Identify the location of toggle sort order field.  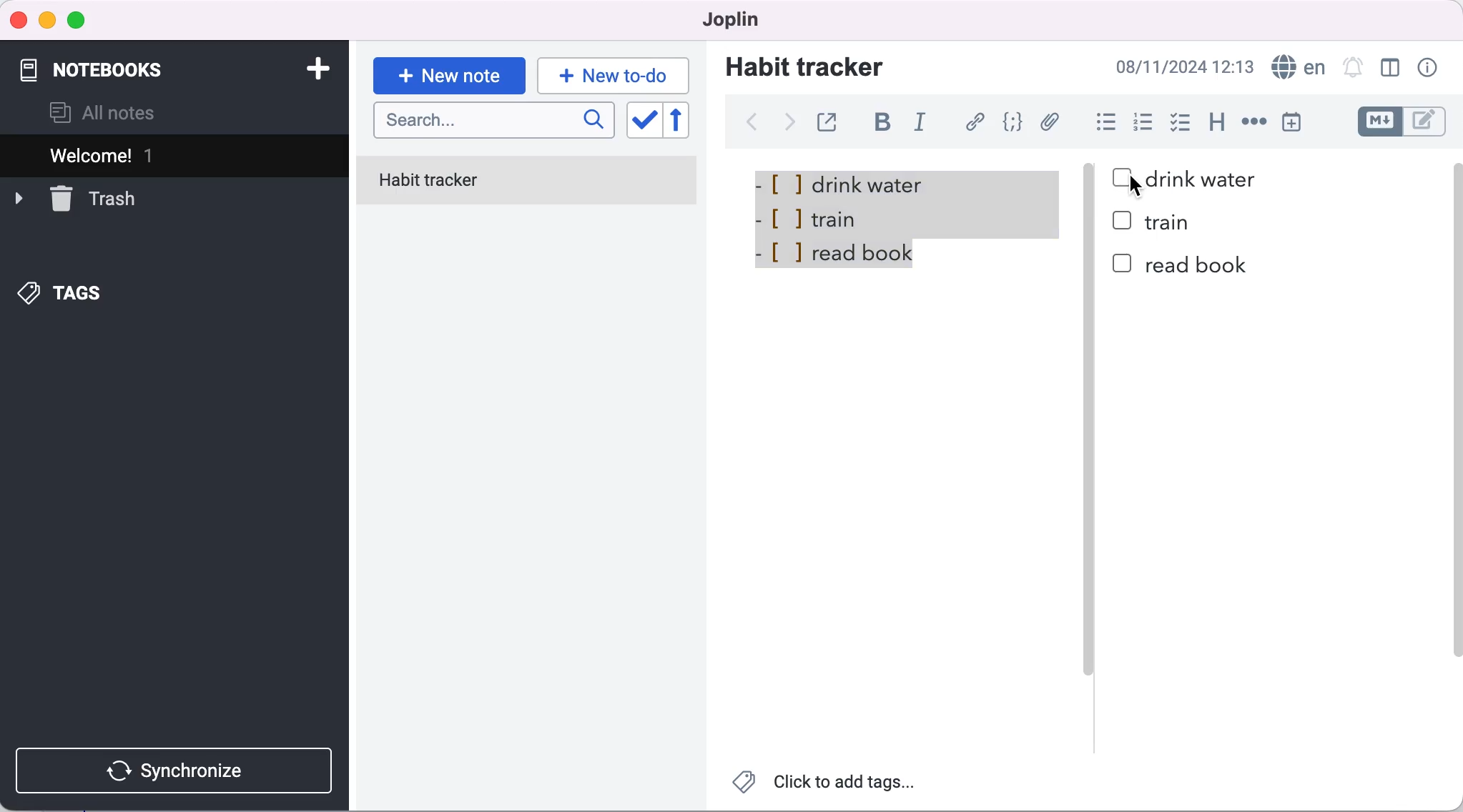
(643, 122).